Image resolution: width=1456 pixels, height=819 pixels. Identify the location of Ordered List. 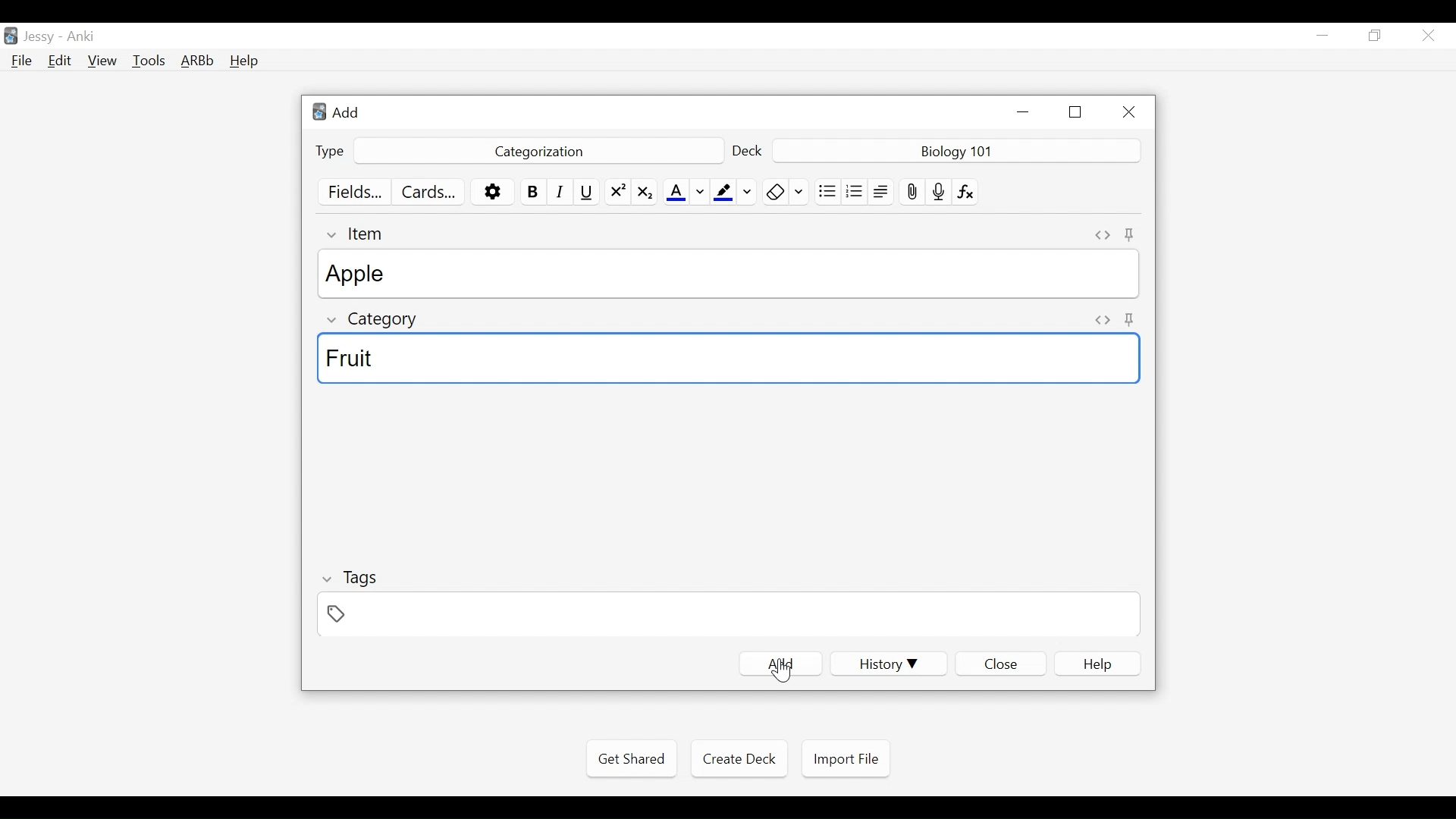
(855, 193).